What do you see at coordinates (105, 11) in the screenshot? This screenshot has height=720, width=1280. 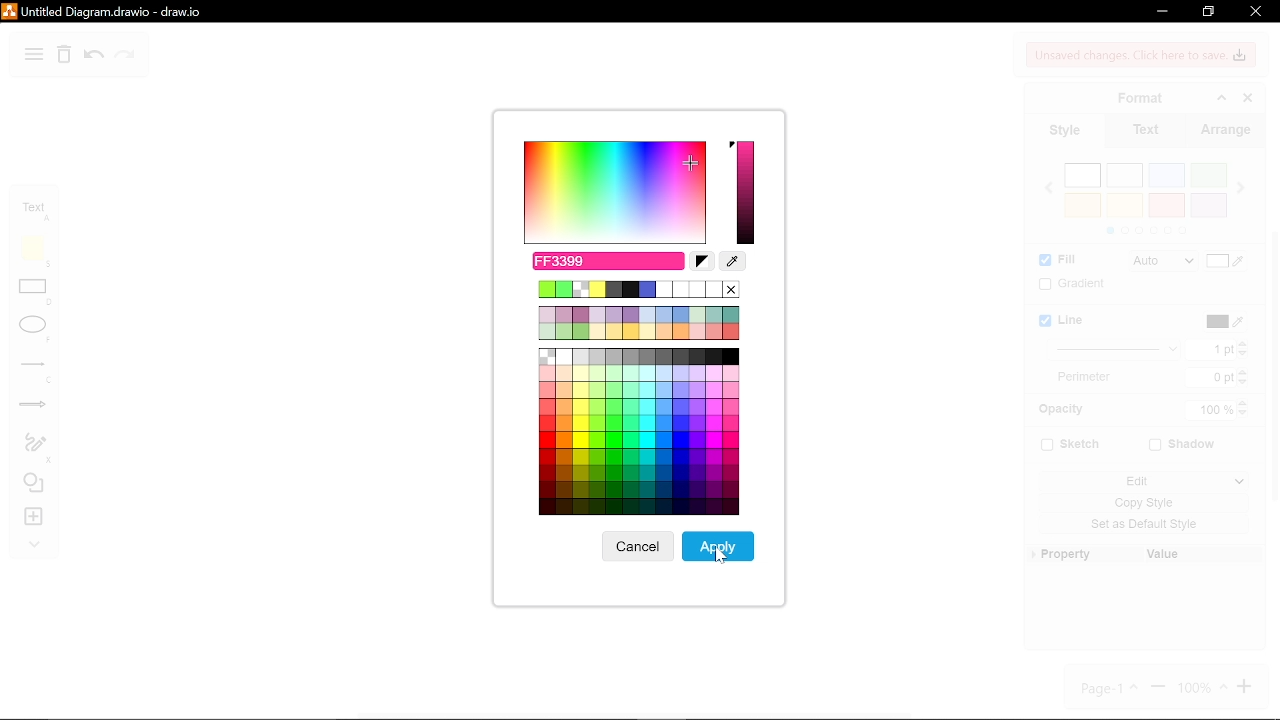 I see `Untitled Diagram.drawio - draw.io` at bounding box center [105, 11].